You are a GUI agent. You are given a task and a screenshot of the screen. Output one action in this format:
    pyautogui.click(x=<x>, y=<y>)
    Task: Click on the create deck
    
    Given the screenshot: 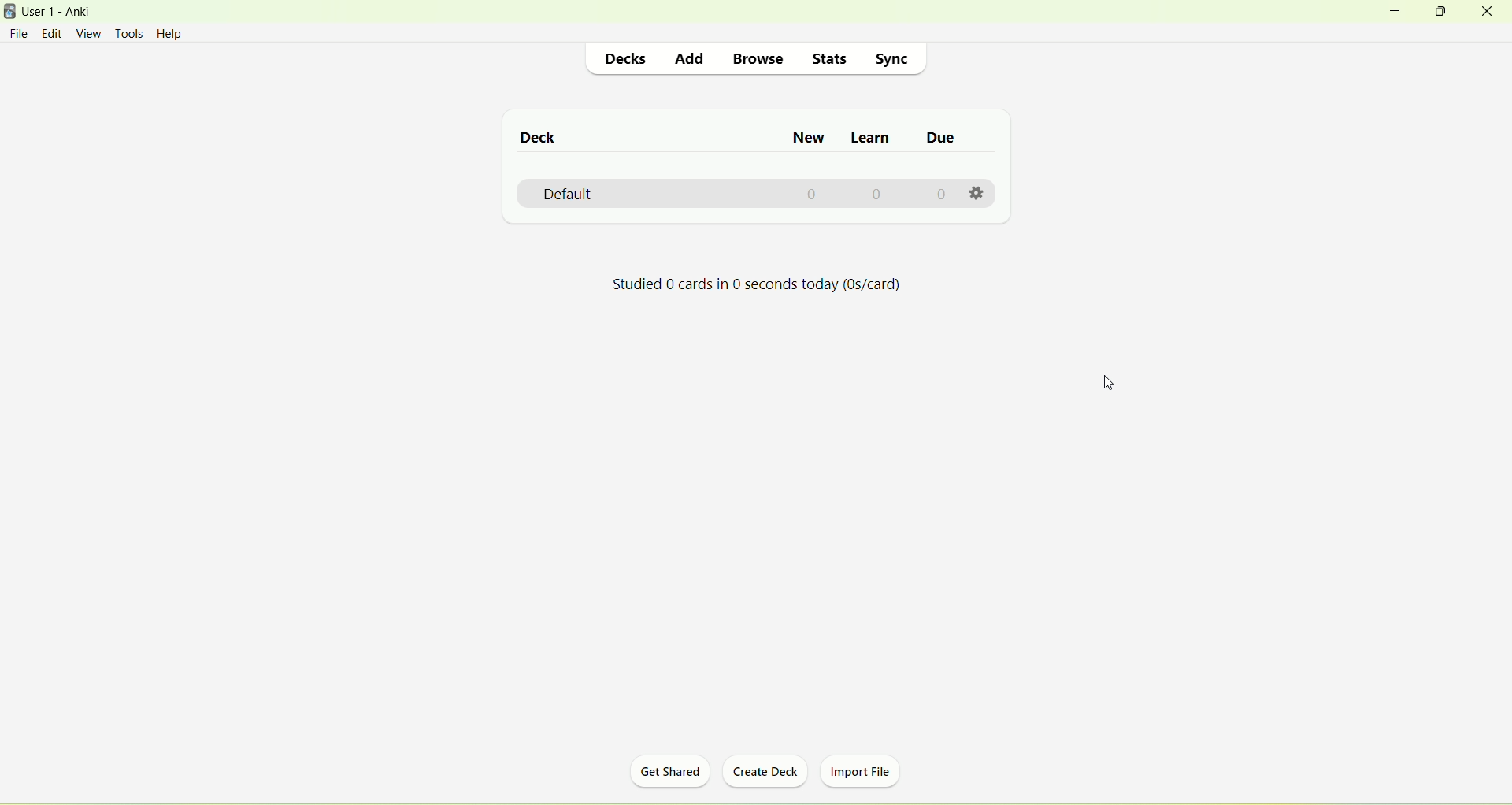 What is the action you would take?
    pyautogui.click(x=765, y=772)
    